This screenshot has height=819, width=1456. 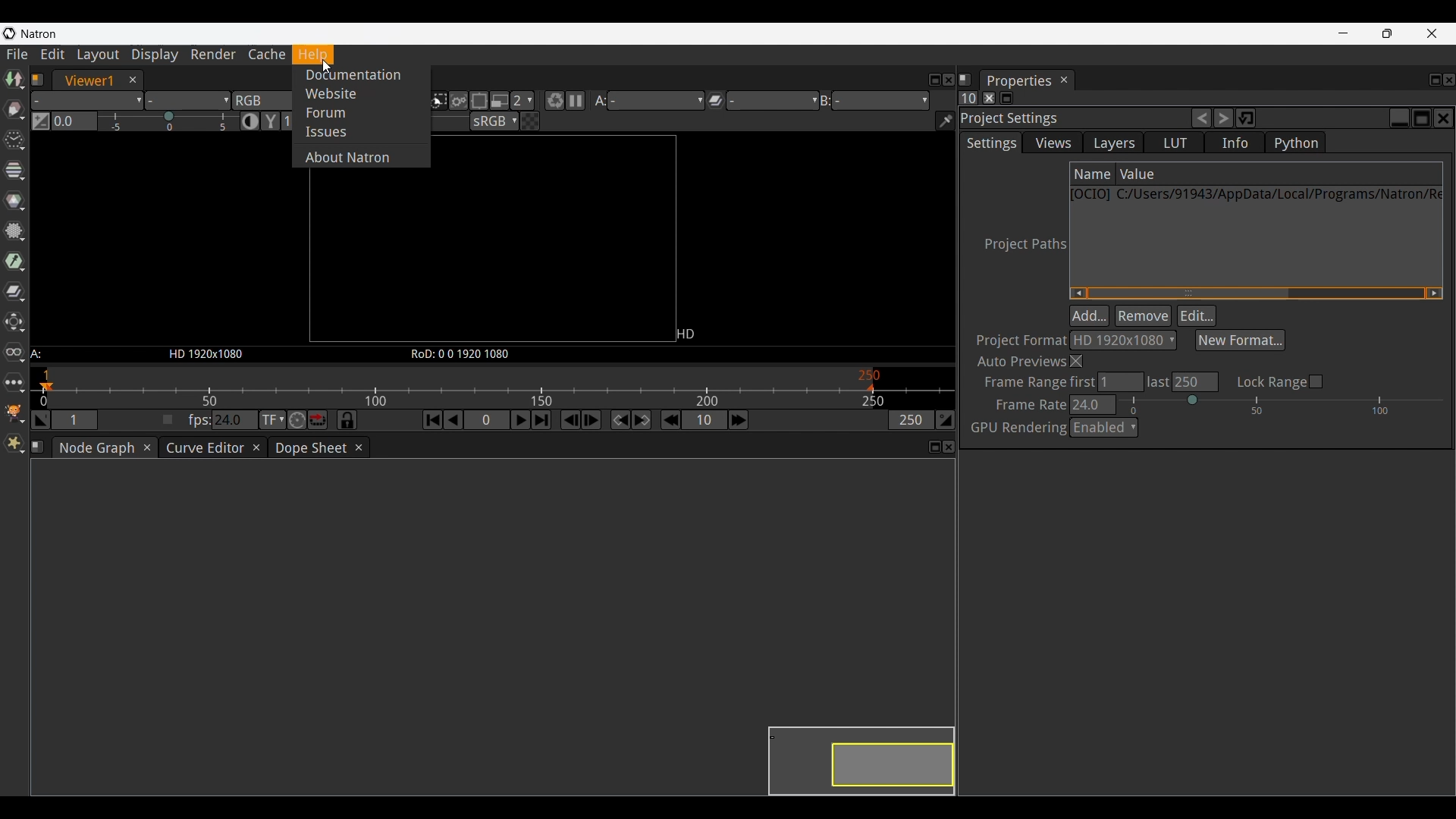 What do you see at coordinates (1388, 34) in the screenshot?
I see `Show interface in a smaller tab` at bounding box center [1388, 34].